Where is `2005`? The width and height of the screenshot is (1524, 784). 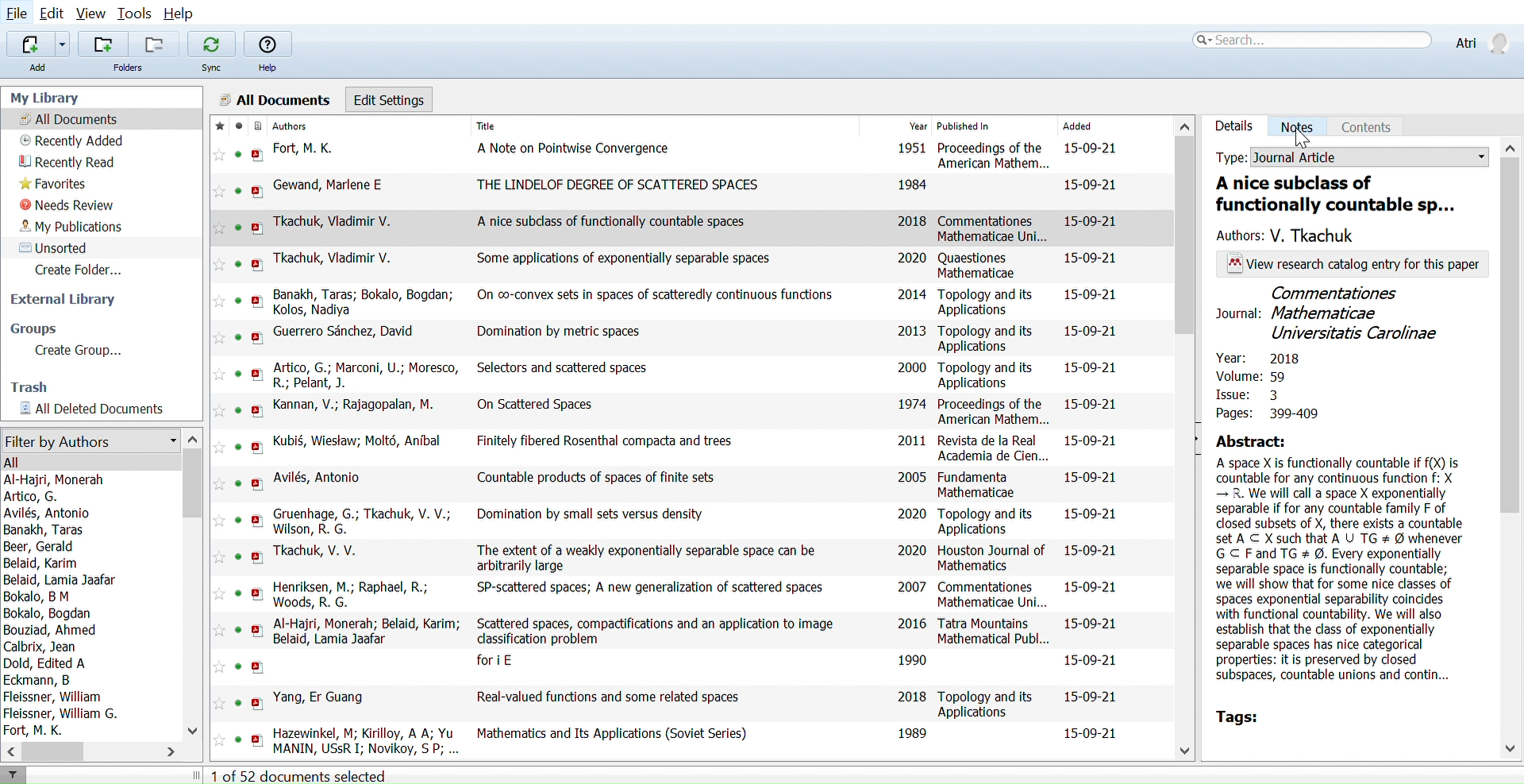
2005 is located at coordinates (910, 478).